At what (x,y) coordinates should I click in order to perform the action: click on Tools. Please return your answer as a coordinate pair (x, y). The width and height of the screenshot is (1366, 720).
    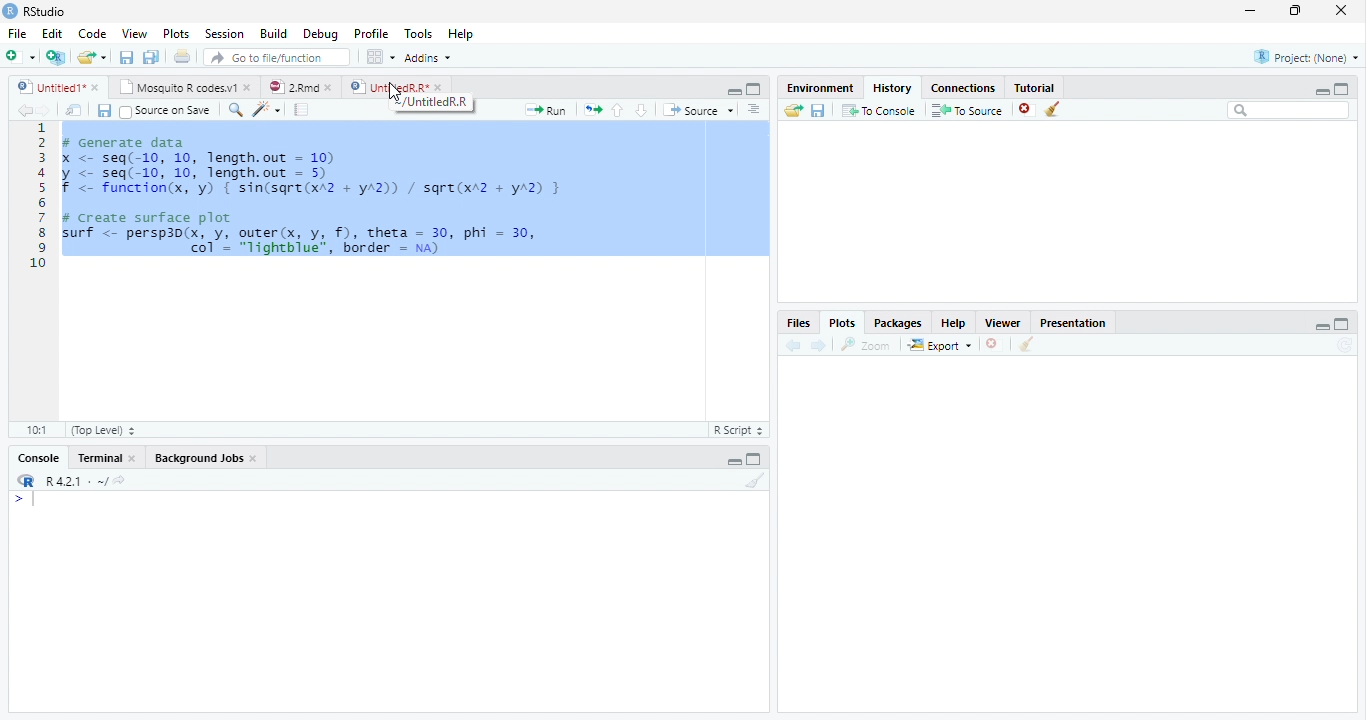
    Looking at the image, I should click on (416, 32).